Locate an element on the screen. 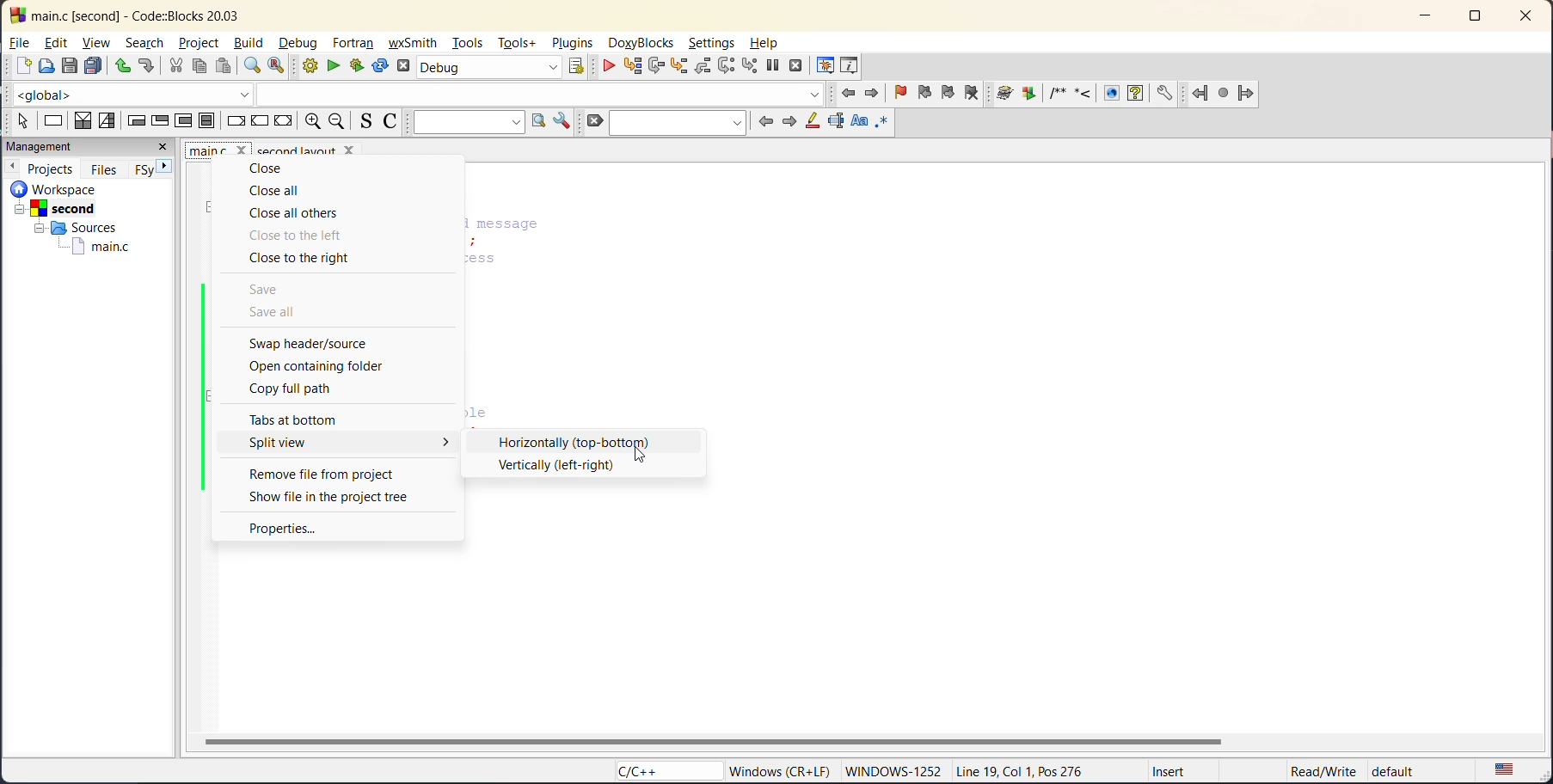 The height and width of the screenshot is (784, 1553). stop debugger is located at coordinates (796, 67).